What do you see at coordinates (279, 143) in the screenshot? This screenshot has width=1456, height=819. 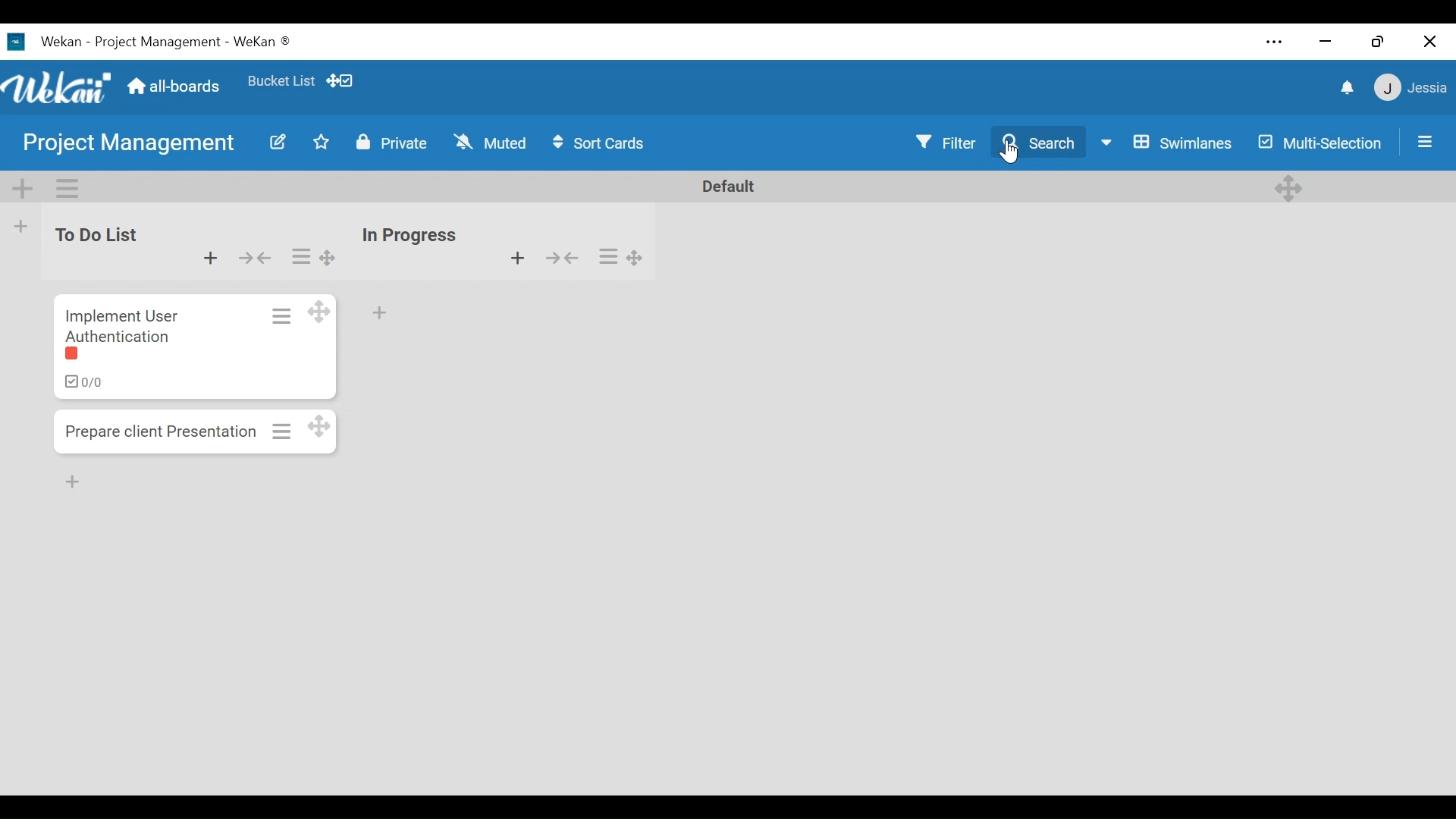 I see `Edit` at bounding box center [279, 143].